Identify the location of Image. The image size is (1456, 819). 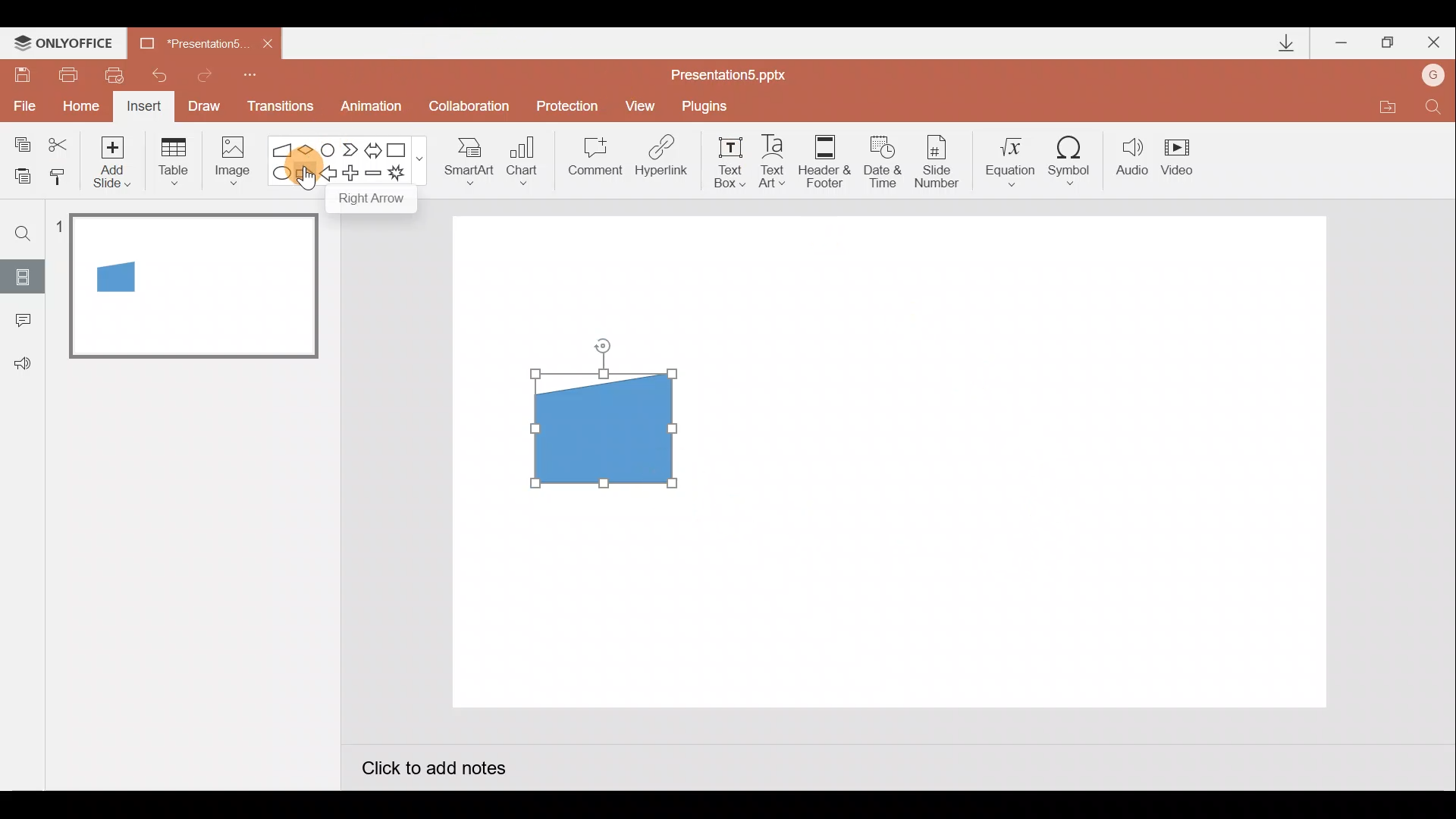
(228, 160).